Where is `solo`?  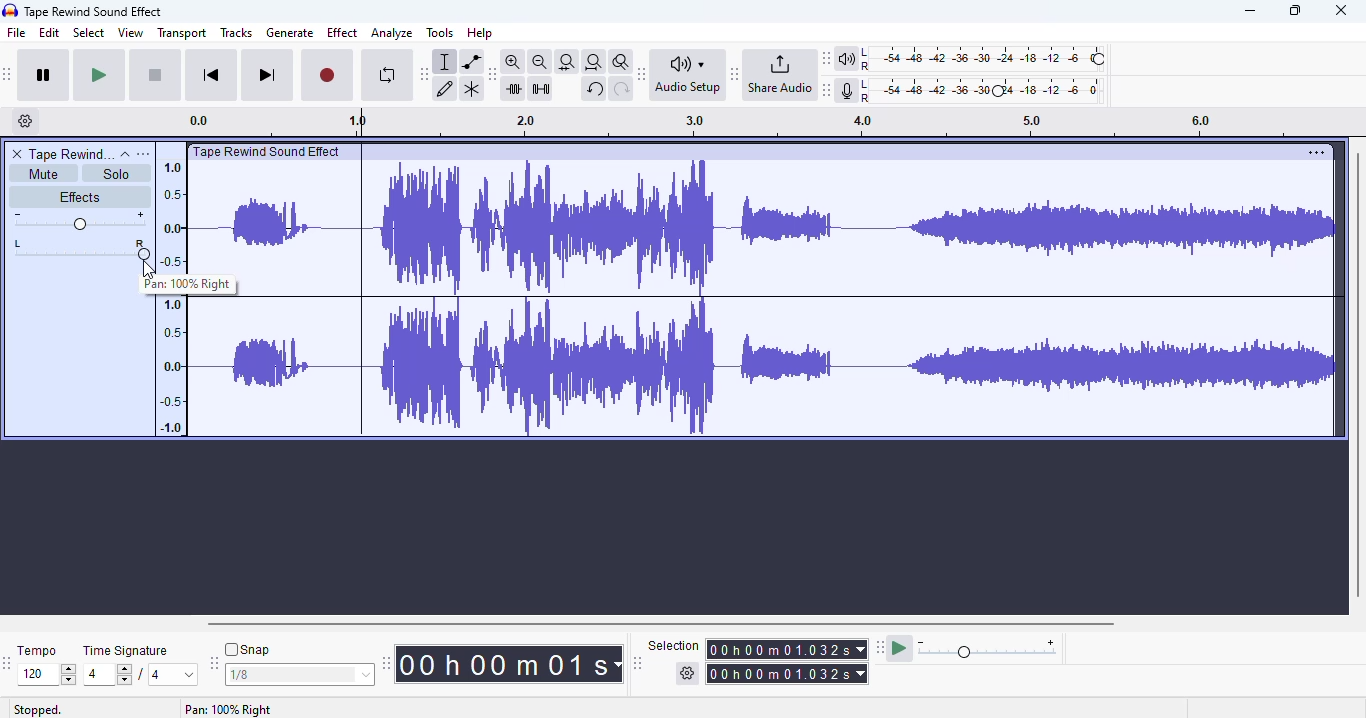
solo is located at coordinates (115, 174).